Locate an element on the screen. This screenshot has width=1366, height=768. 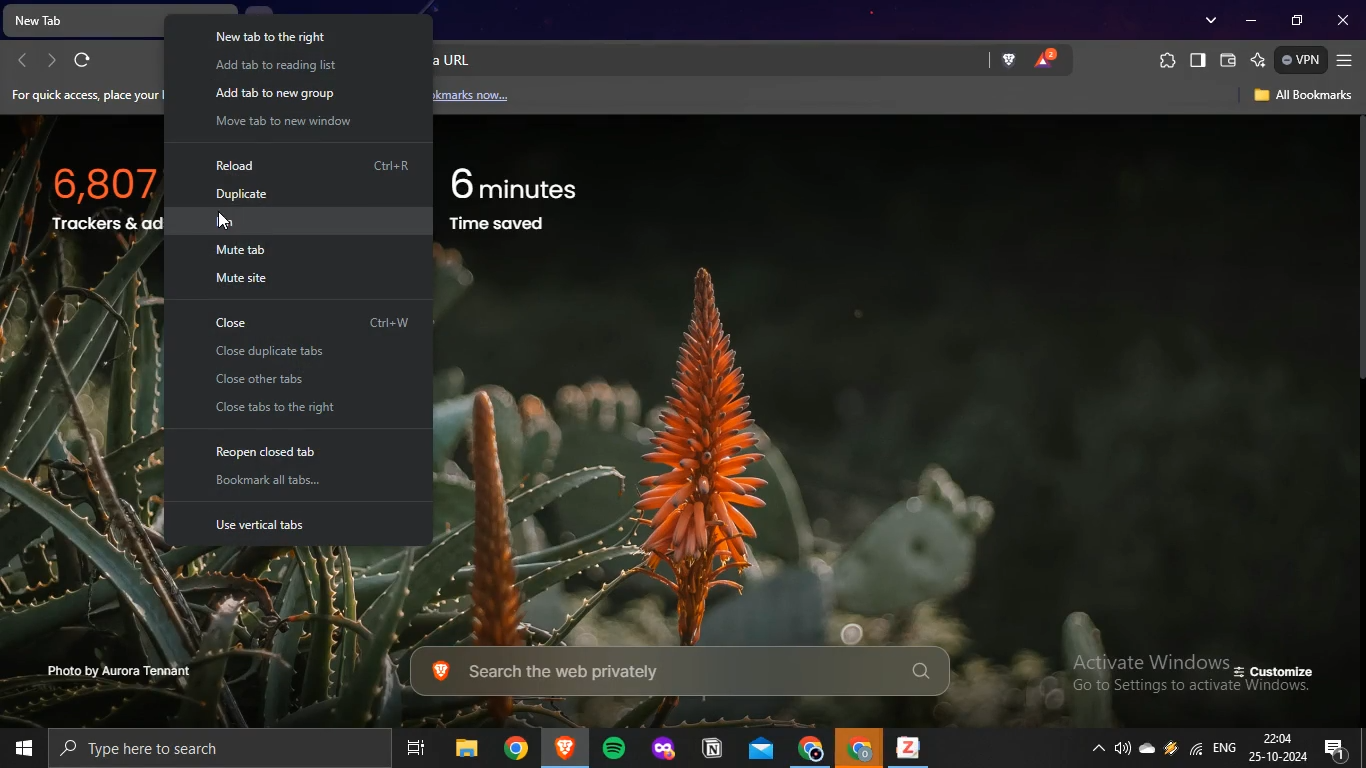
photo by aurora is located at coordinates (137, 671).